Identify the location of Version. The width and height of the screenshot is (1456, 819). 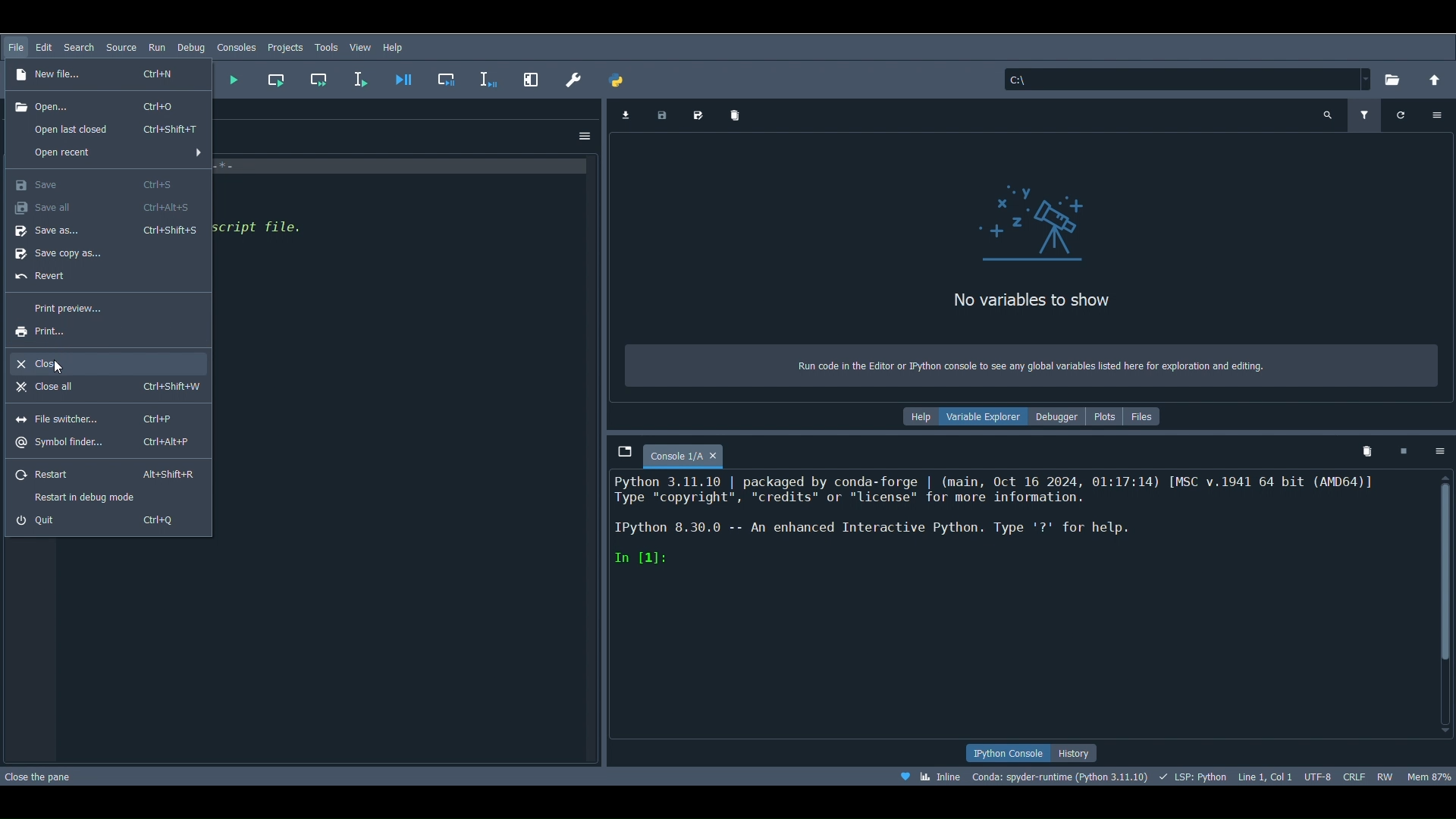
(1061, 777).